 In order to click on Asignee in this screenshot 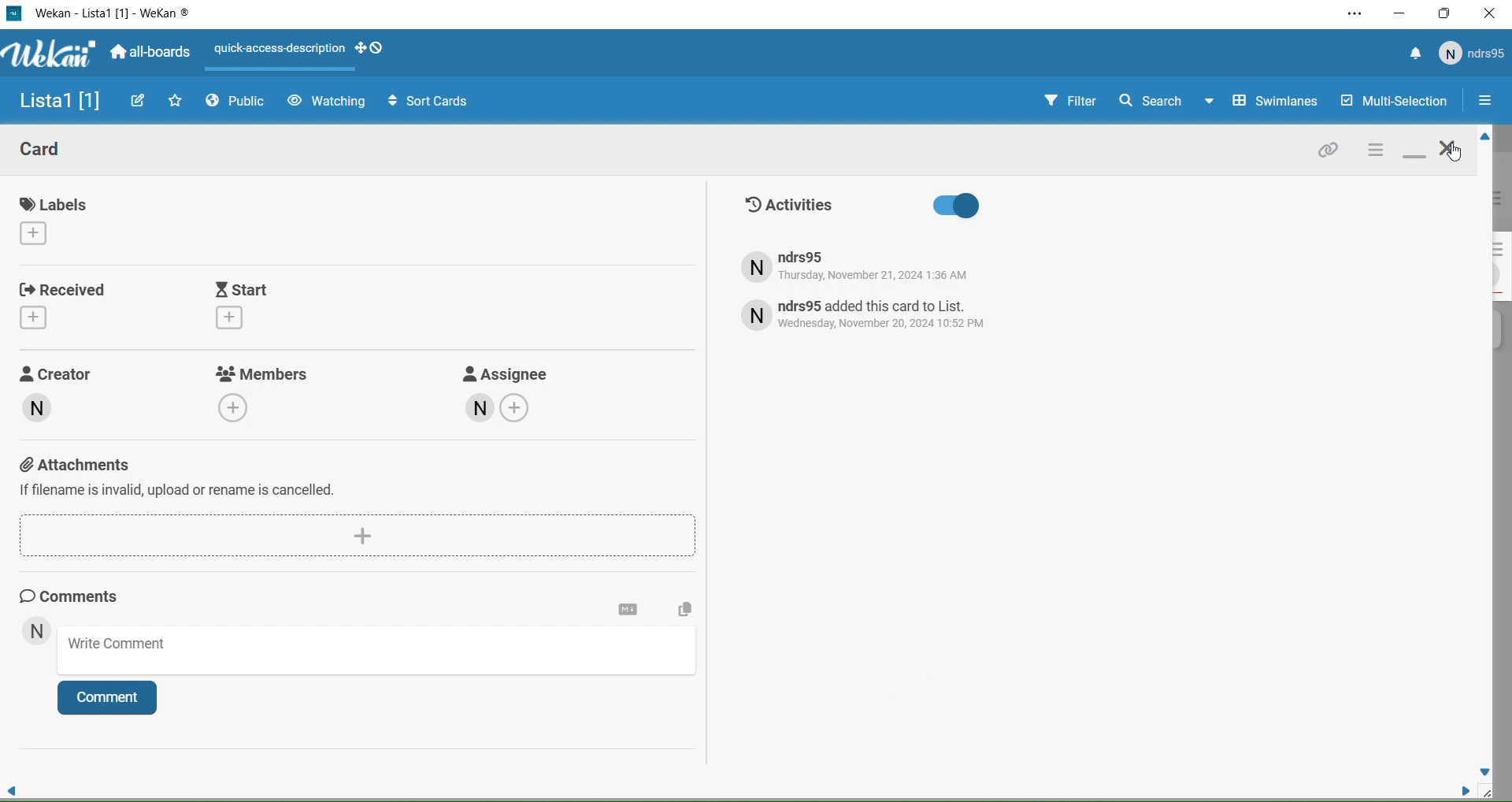, I will do `click(614, 449)`.